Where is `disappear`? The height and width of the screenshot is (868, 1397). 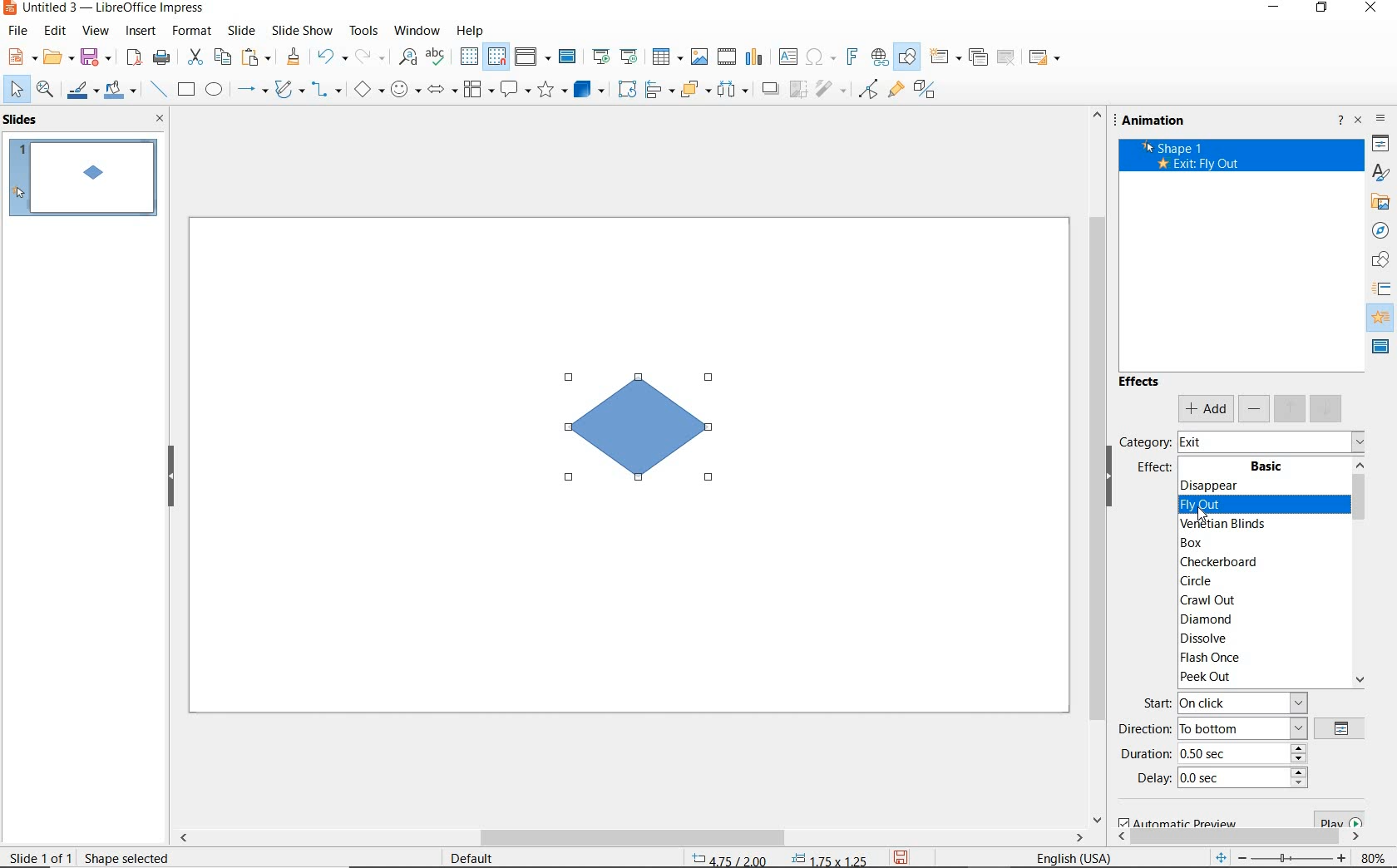
disappear is located at coordinates (1256, 484).